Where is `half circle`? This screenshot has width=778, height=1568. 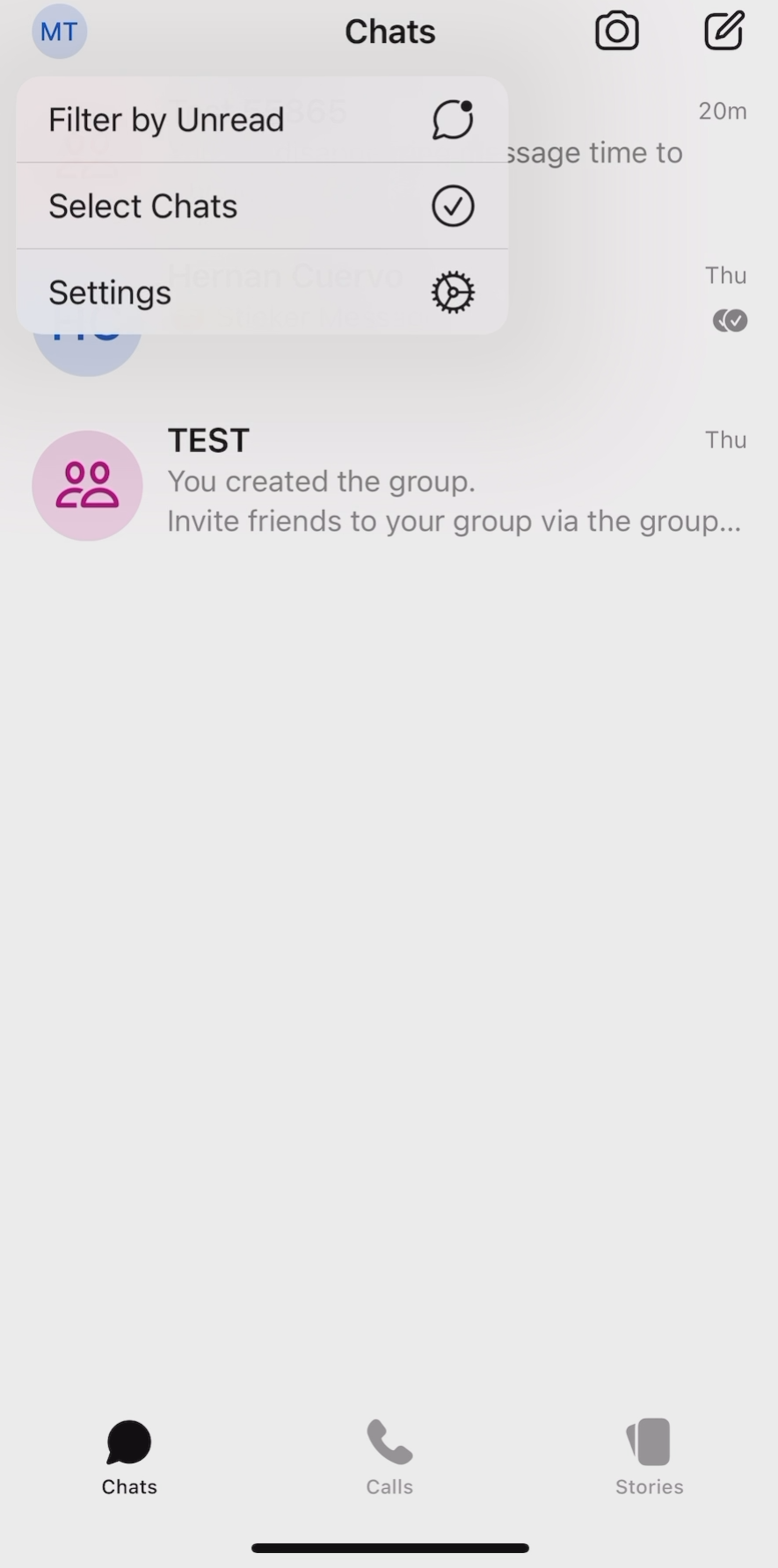
half circle is located at coordinates (88, 355).